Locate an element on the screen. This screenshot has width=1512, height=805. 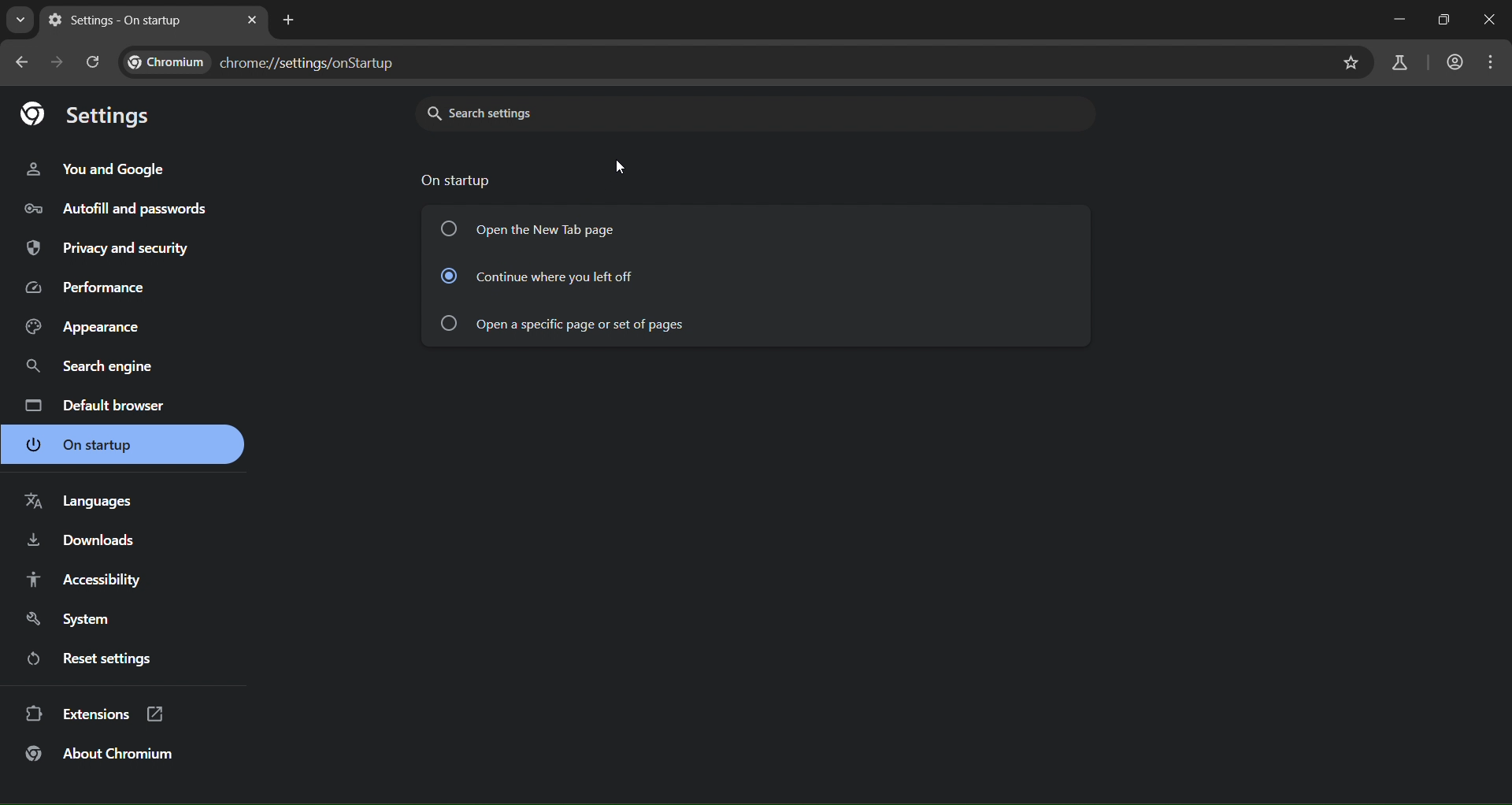
continue where you left off is located at coordinates (565, 323).